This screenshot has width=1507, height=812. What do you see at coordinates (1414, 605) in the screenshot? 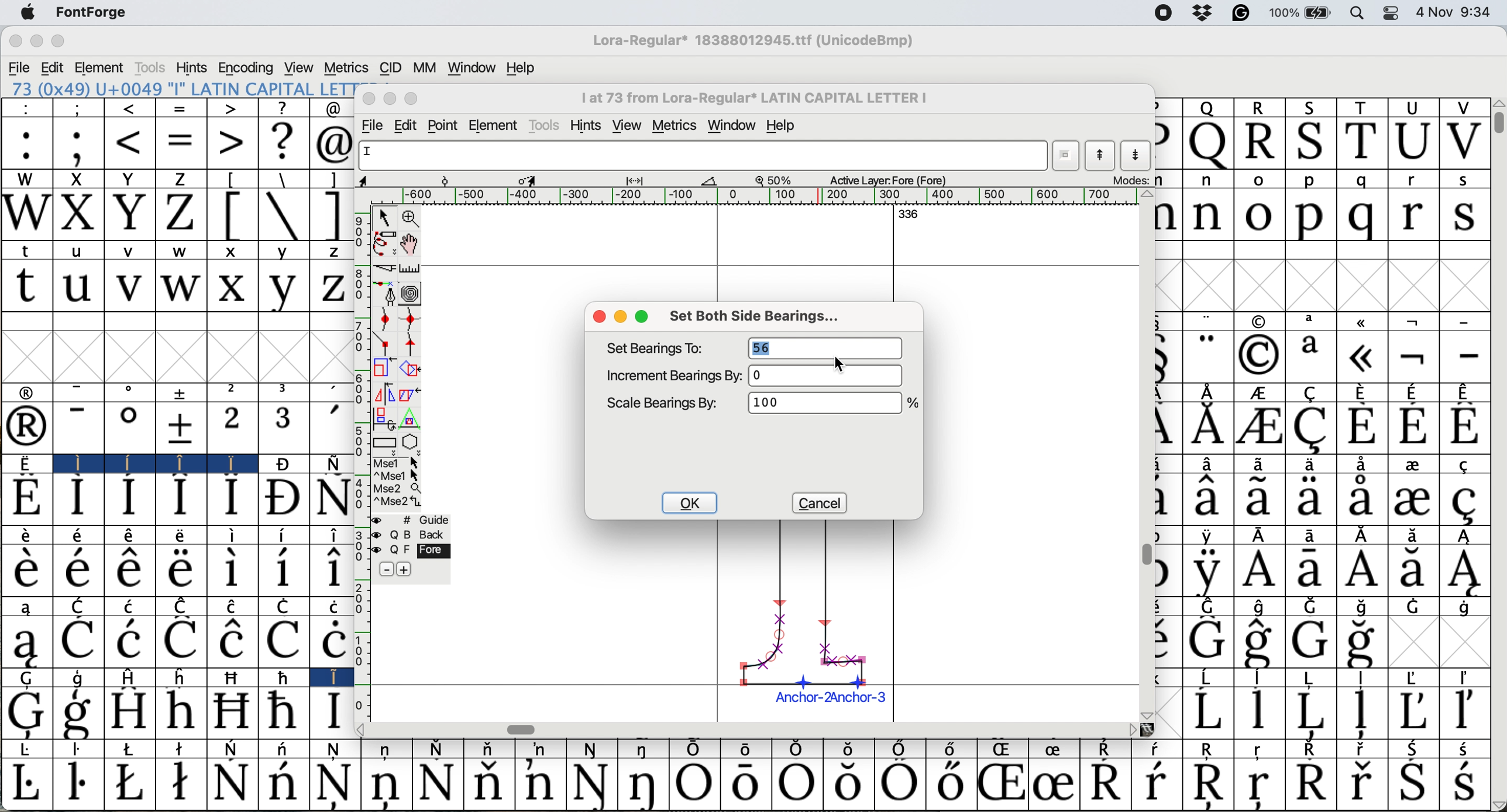
I see `` at bounding box center [1414, 605].